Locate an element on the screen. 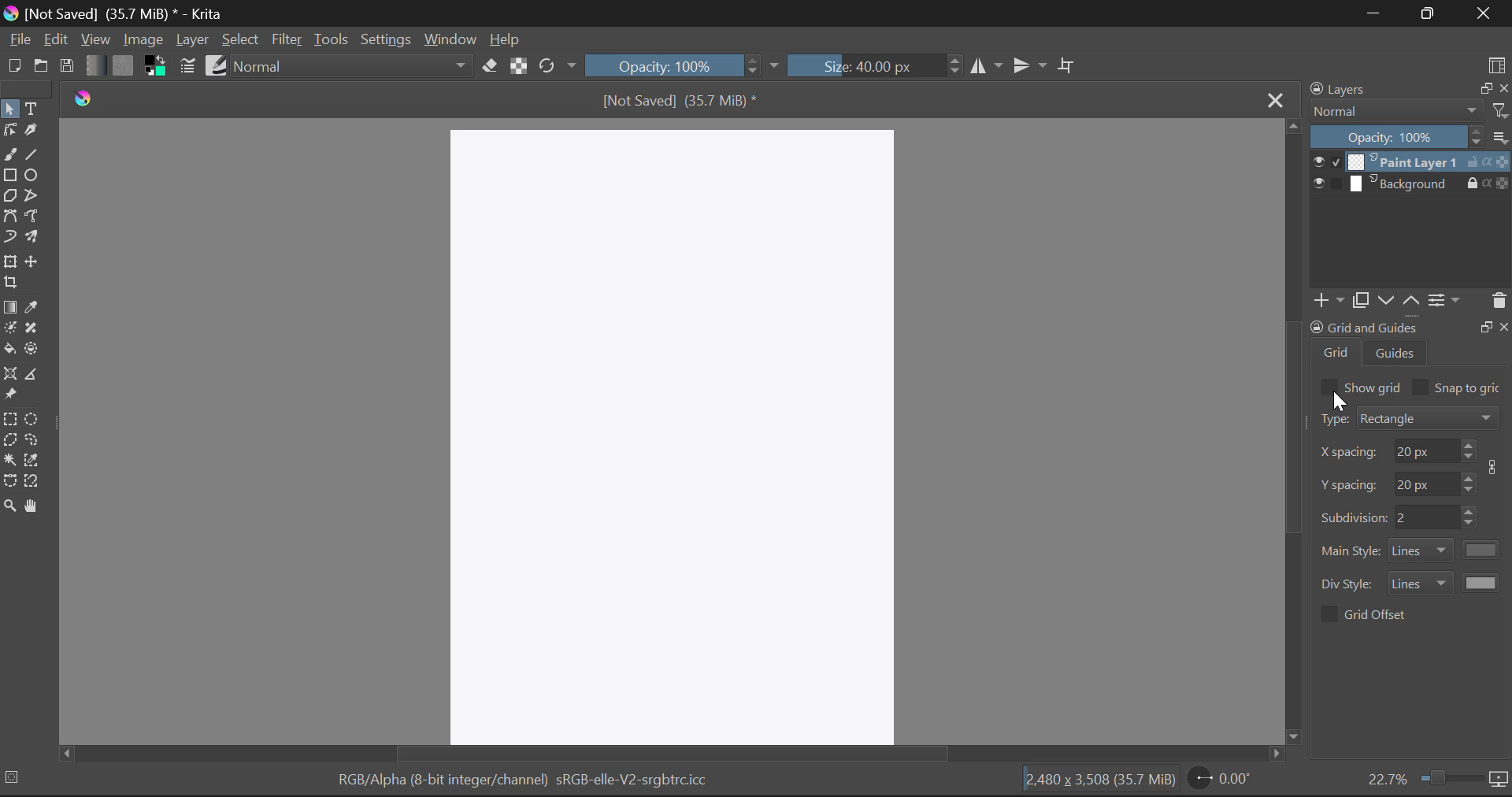 Image resolution: width=1512 pixels, height=797 pixels. Colors in use is located at coordinates (156, 66).